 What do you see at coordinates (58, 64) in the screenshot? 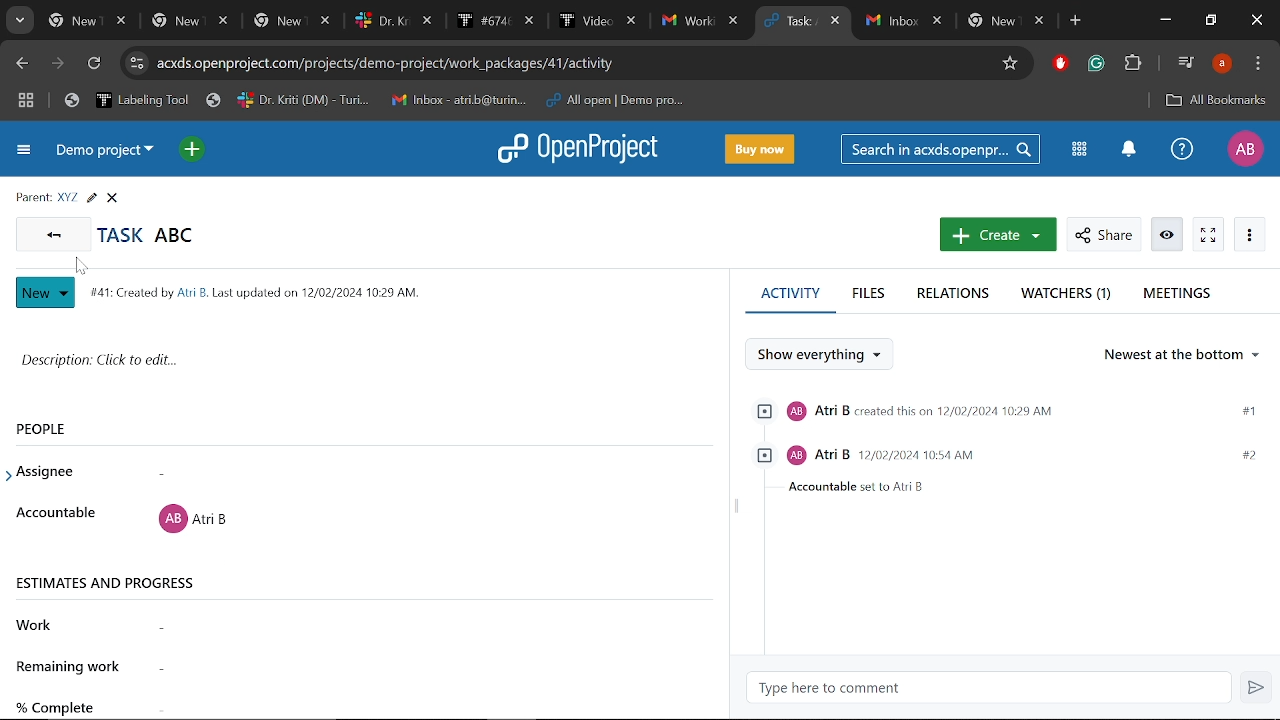
I see `Next page` at bounding box center [58, 64].